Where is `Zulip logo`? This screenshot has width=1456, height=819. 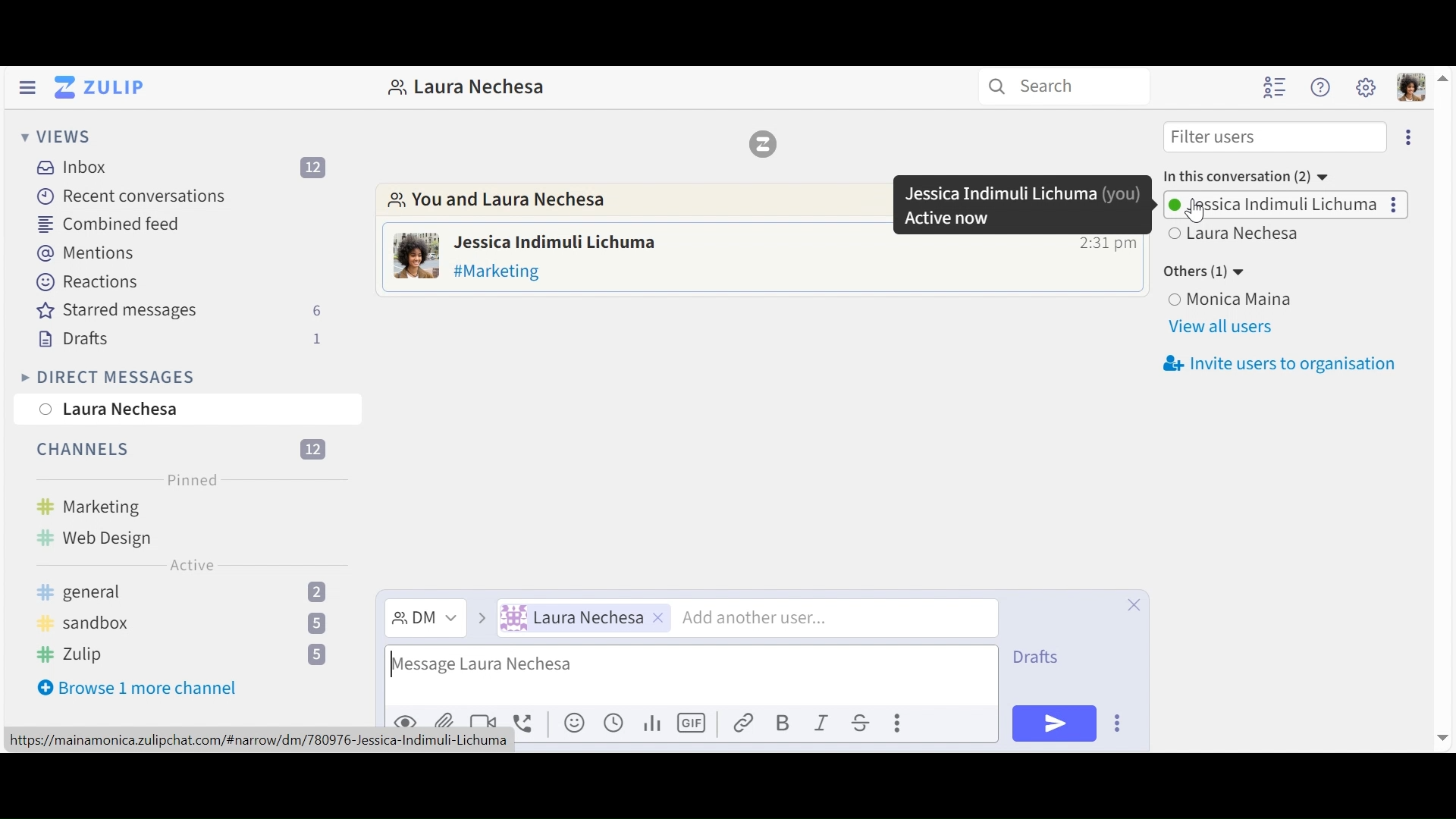
Zulip logo is located at coordinates (766, 147).